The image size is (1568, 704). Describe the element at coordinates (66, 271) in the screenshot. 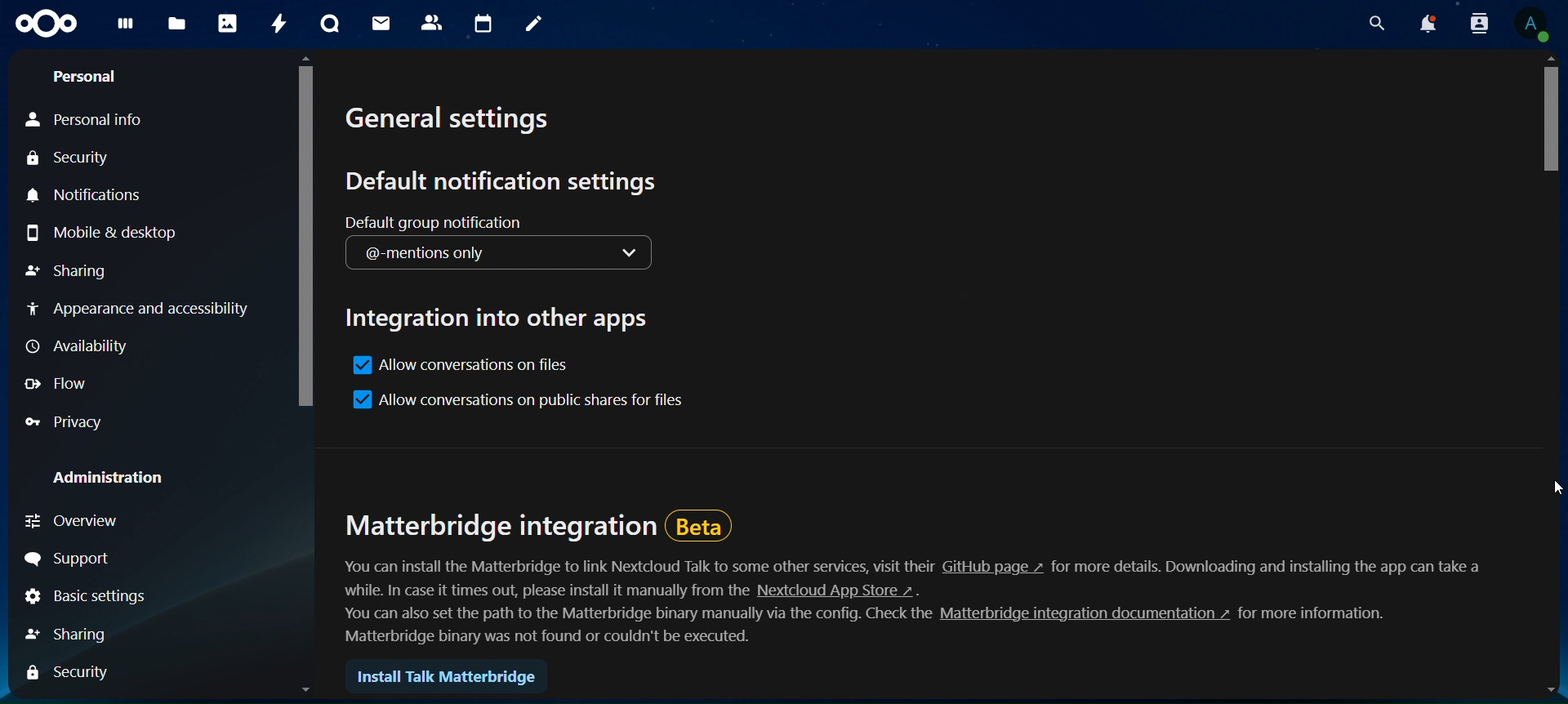

I see `sharing` at that location.